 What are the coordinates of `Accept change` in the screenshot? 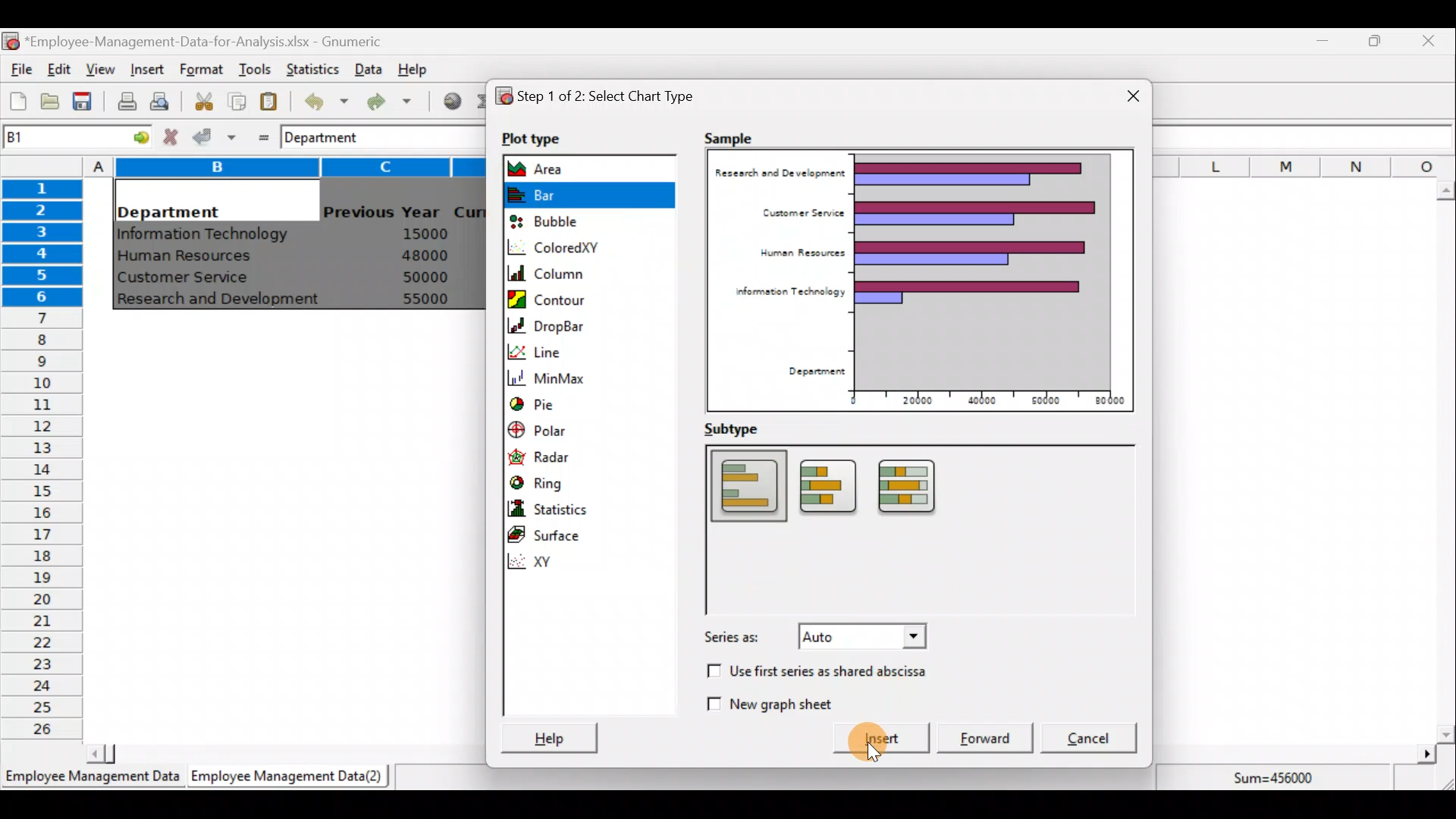 It's located at (215, 136).